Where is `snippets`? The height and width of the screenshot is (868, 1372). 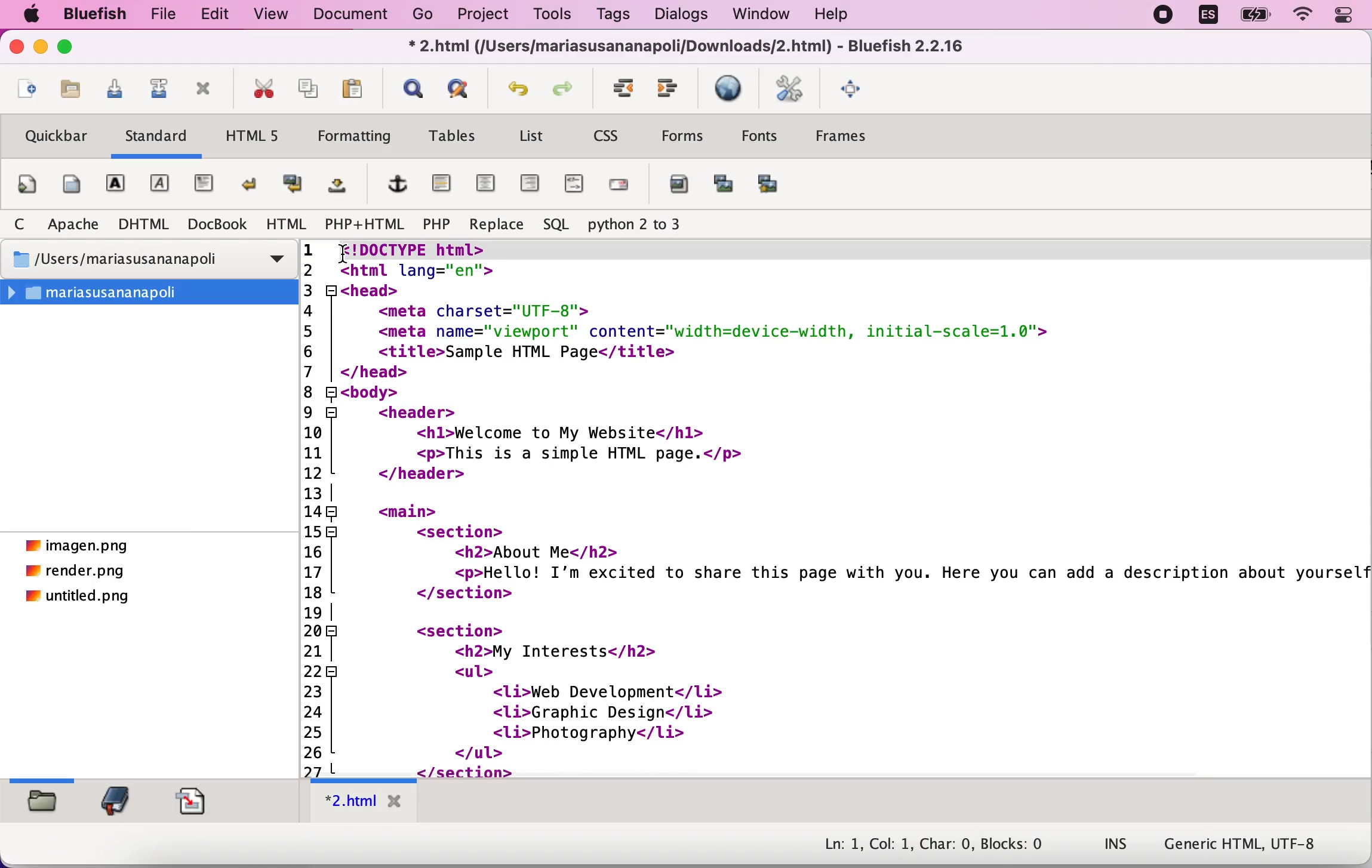
snippets is located at coordinates (195, 802).